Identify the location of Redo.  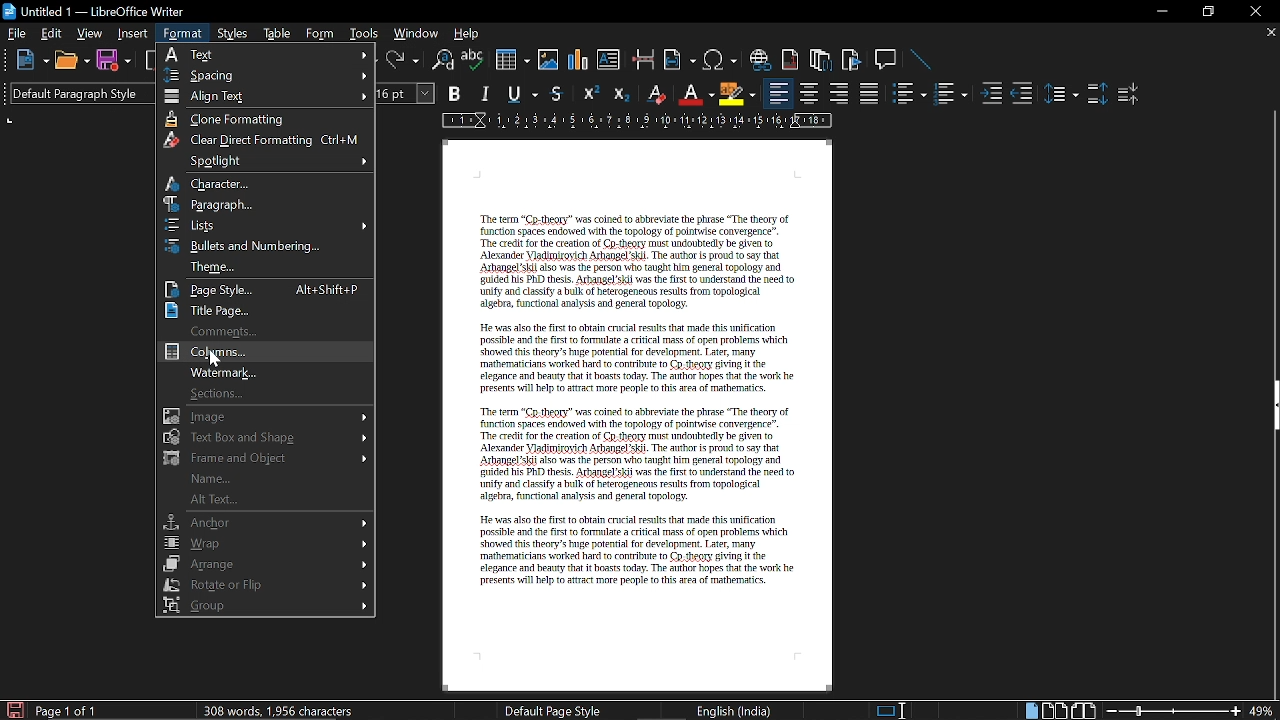
(402, 60).